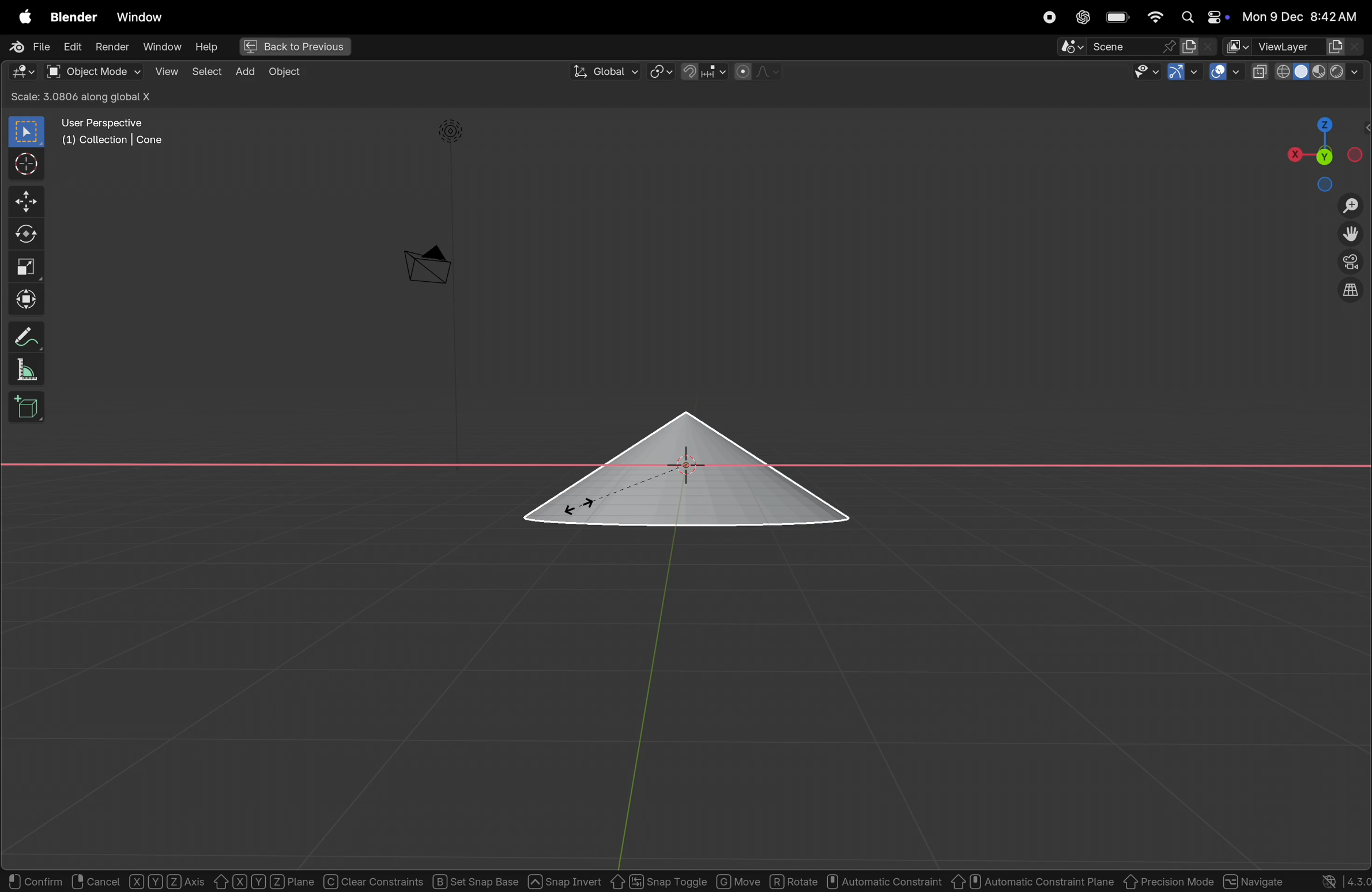 The height and width of the screenshot is (892, 1372). What do you see at coordinates (1083, 17) in the screenshot?
I see `chatgpt` at bounding box center [1083, 17].